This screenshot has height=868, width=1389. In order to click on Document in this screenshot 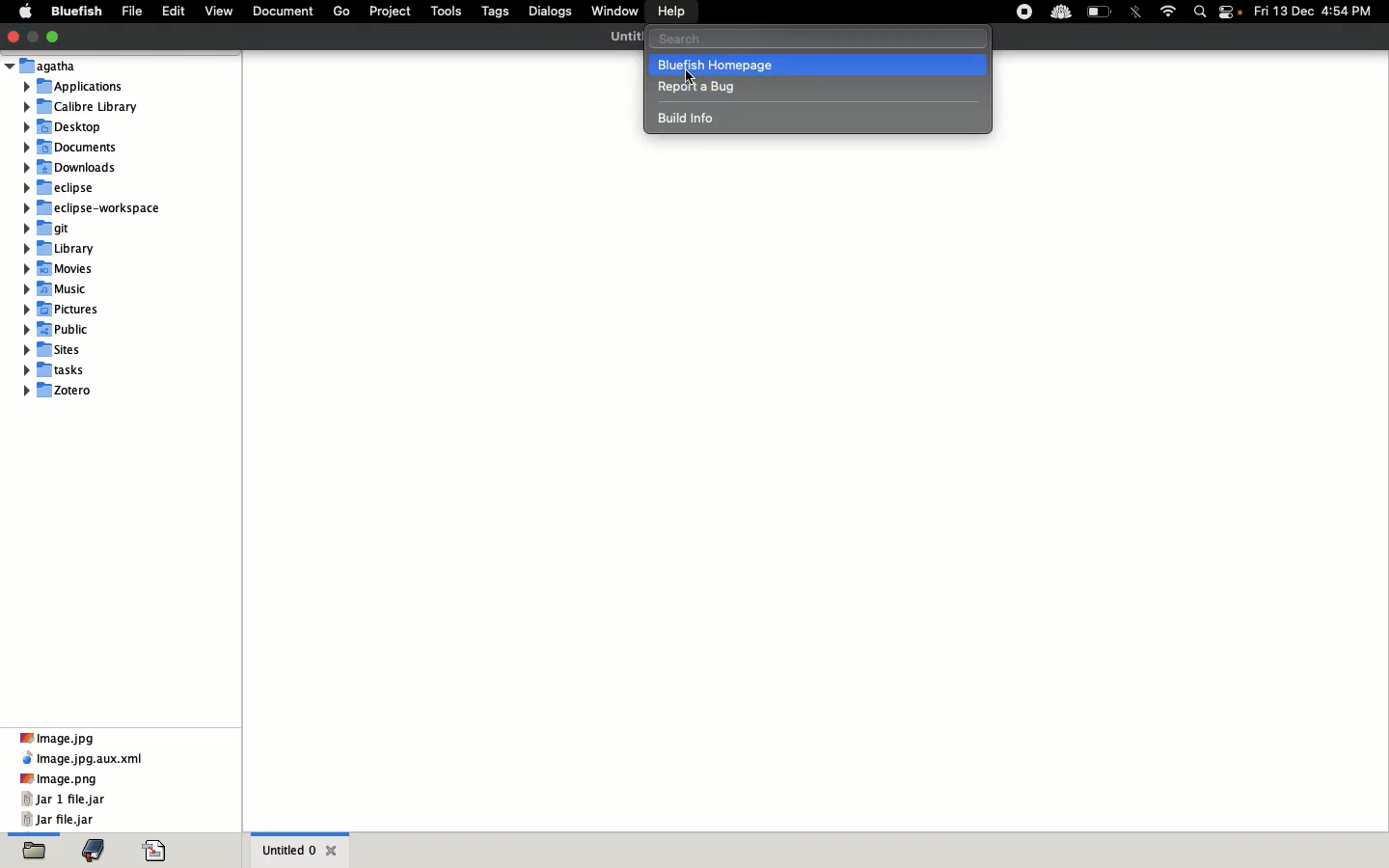, I will do `click(281, 12)`.